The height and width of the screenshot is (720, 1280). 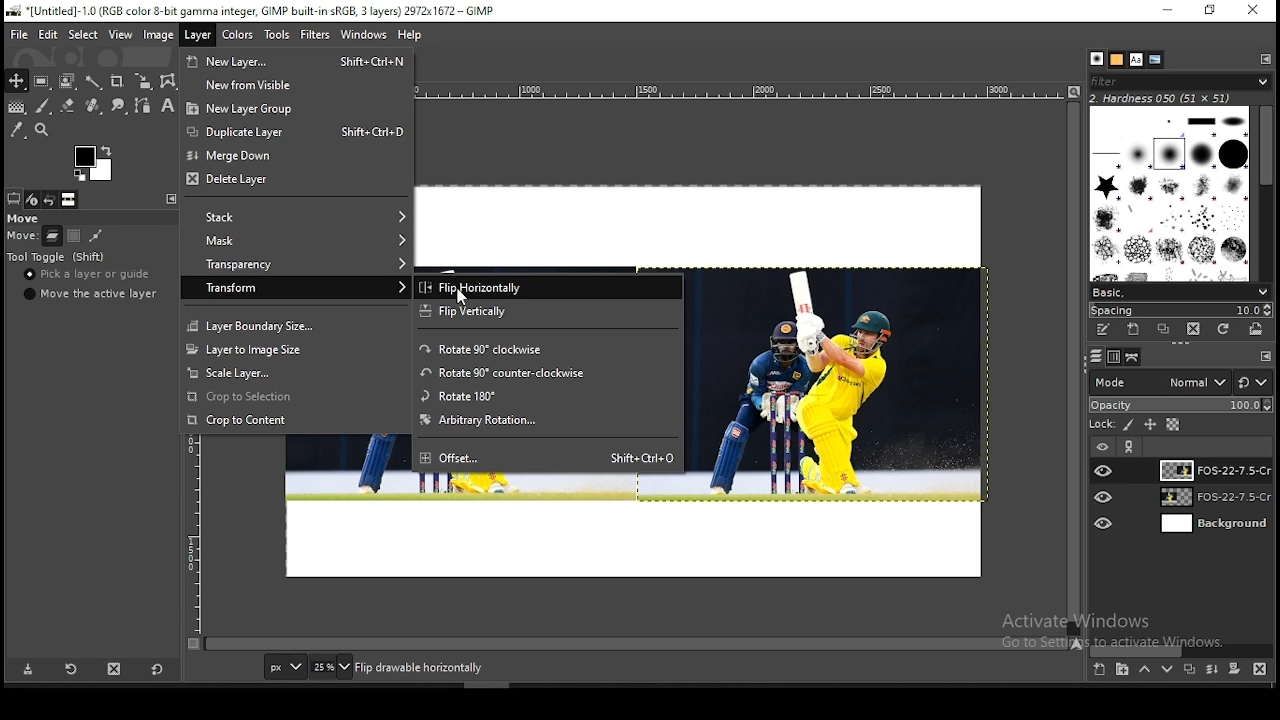 I want to click on brush tool, so click(x=43, y=106).